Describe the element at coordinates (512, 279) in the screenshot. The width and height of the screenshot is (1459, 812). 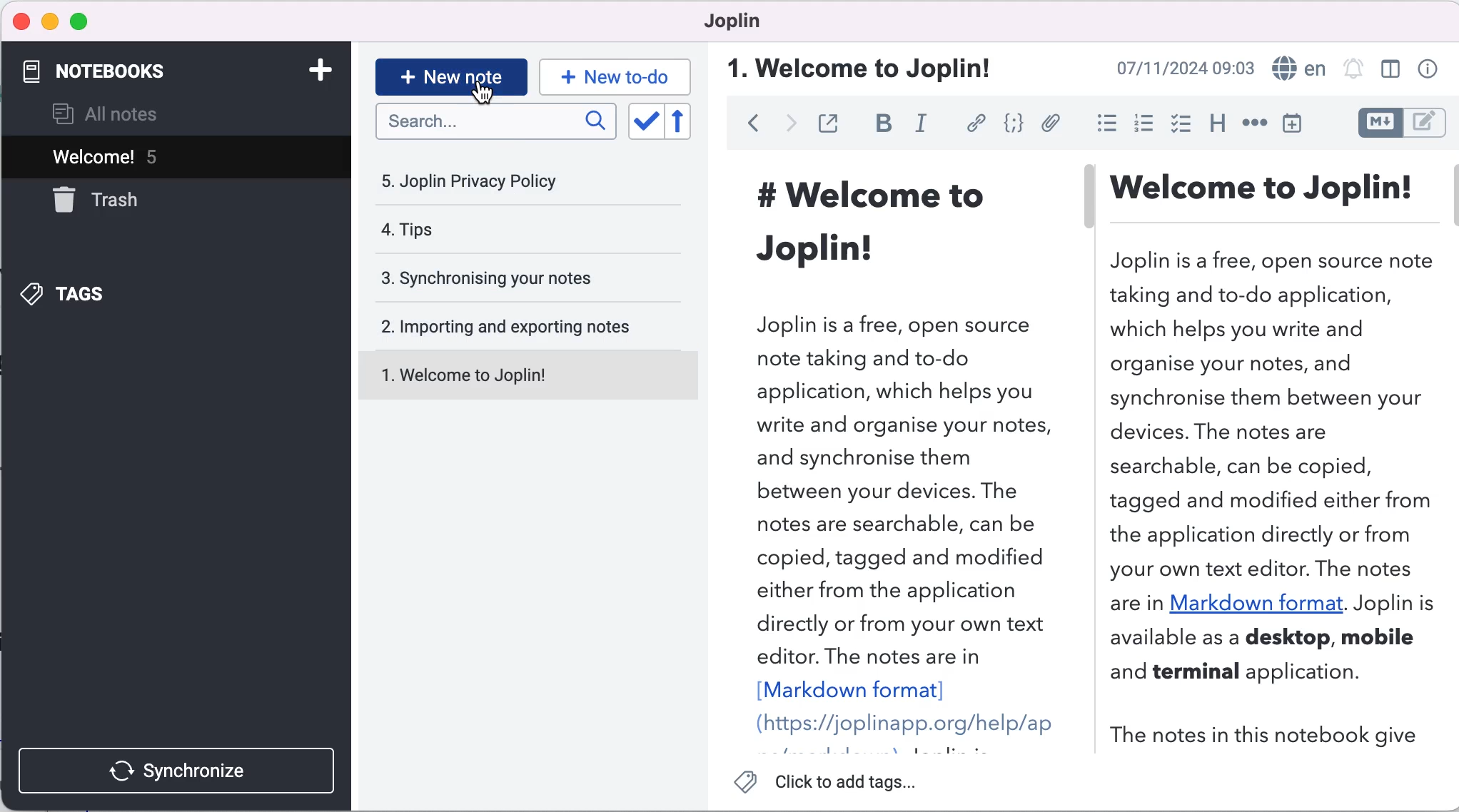
I see `synchronising your notes` at that location.